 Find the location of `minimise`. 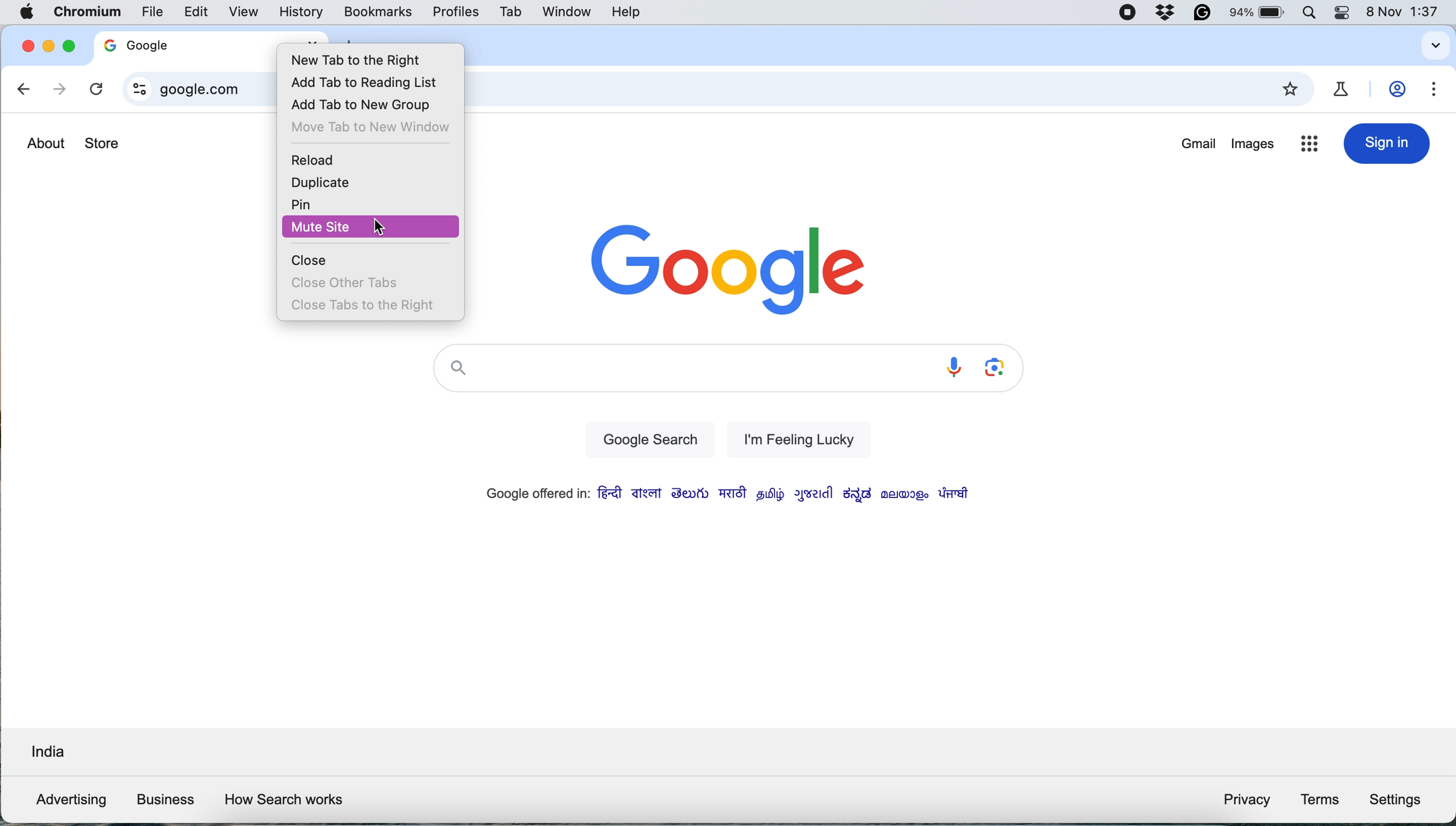

minimise is located at coordinates (47, 49).